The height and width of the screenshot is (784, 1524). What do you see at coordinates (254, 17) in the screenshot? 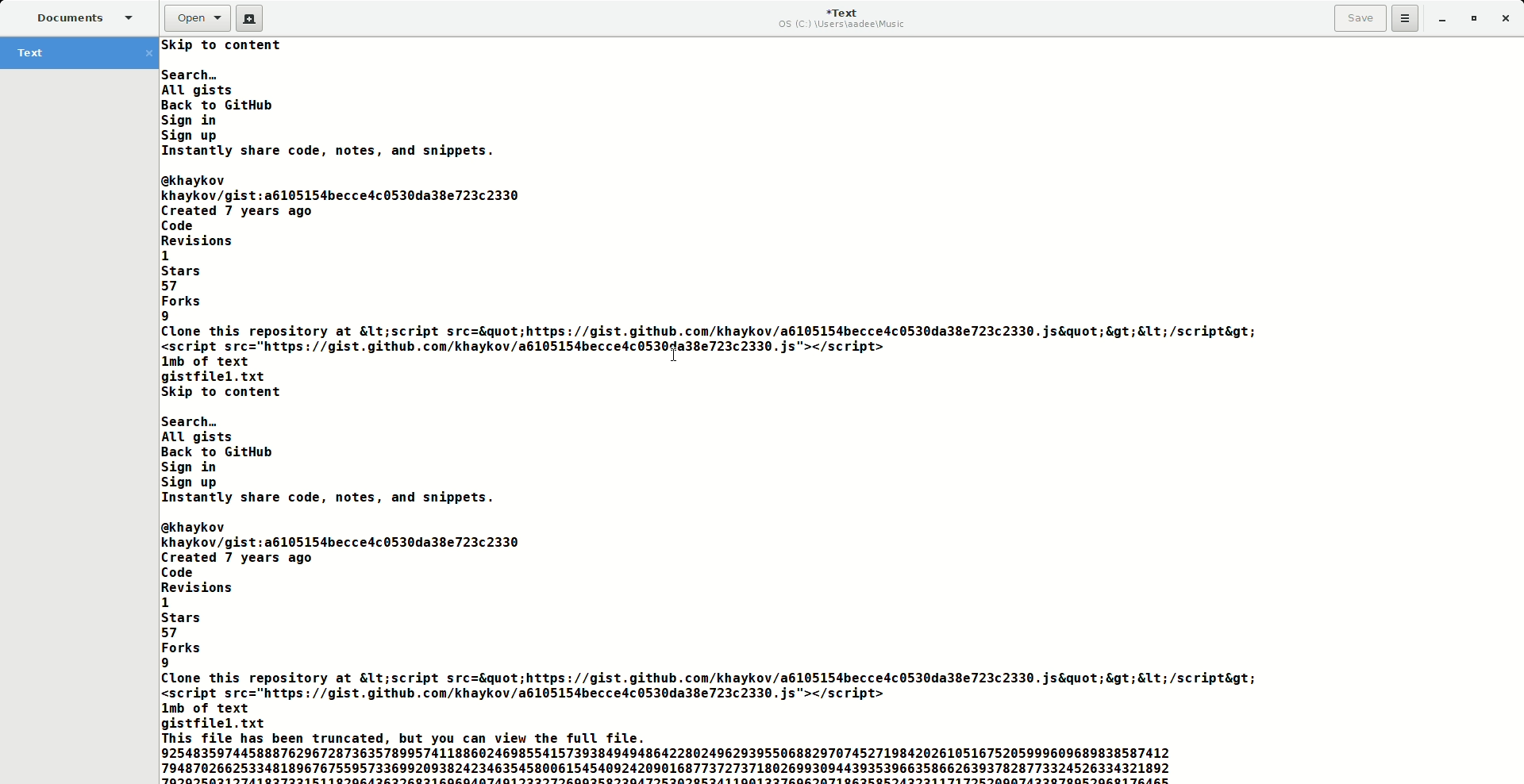
I see `New` at bounding box center [254, 17].